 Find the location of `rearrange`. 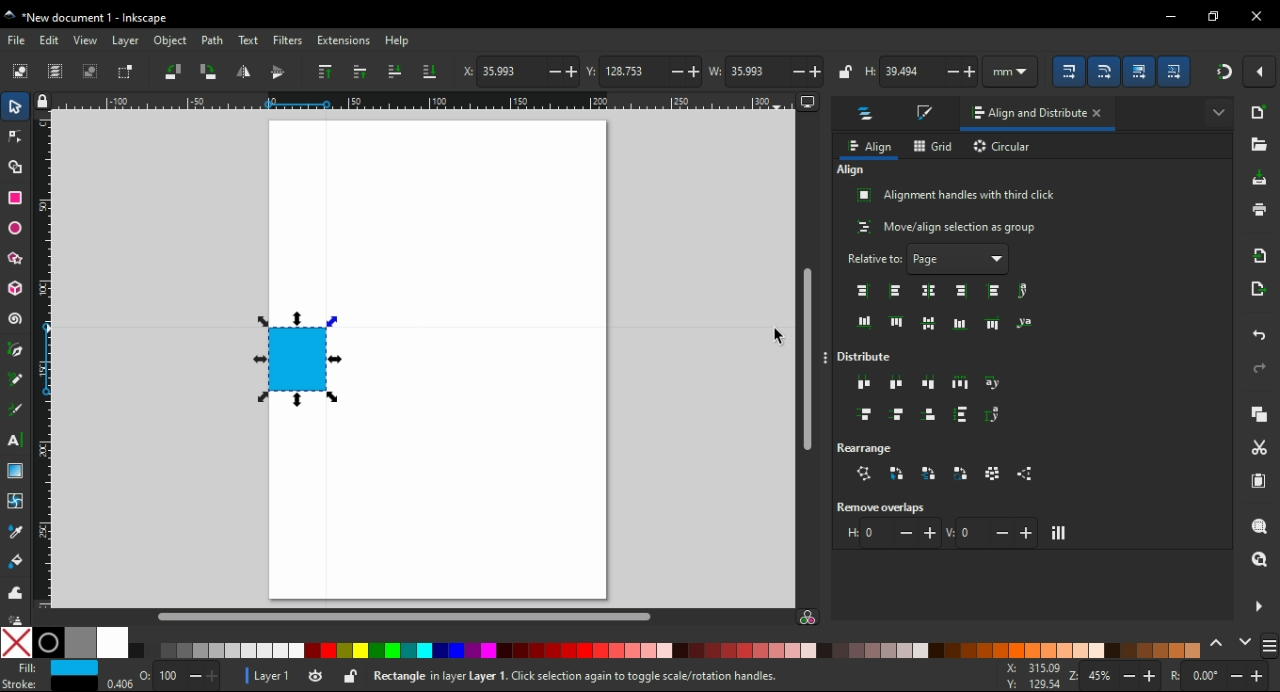

rearrange is located at coordinates (867, 448).